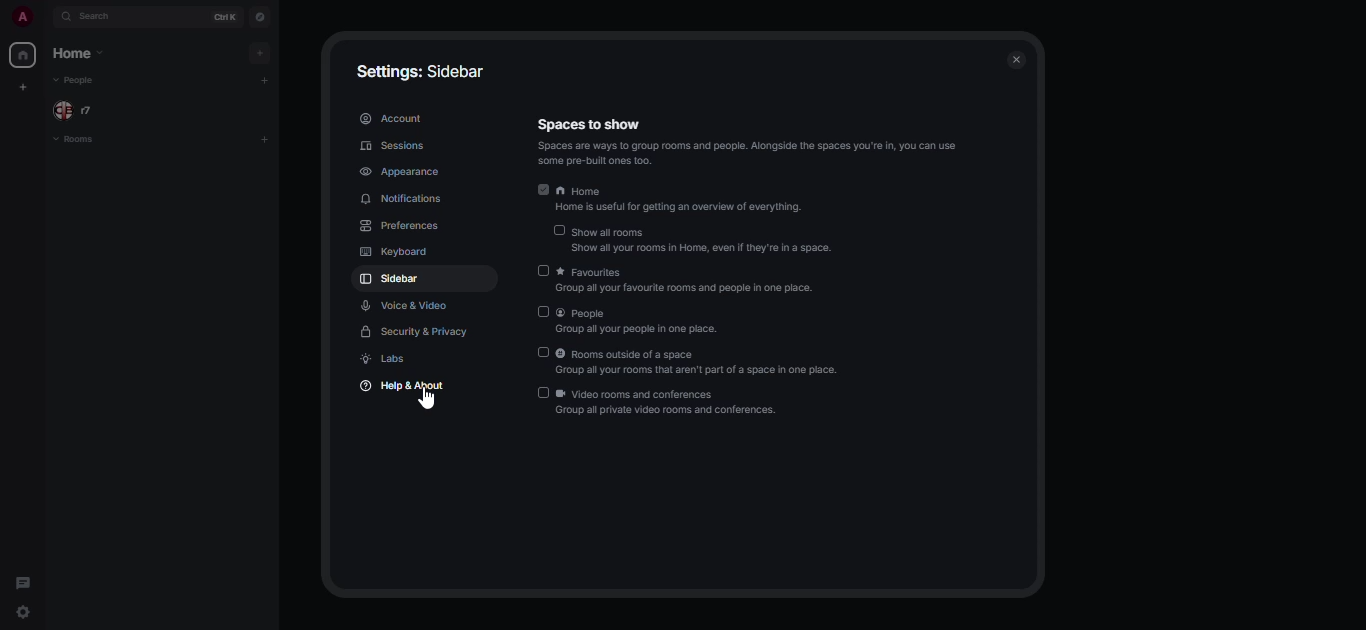  Describe the element at coordinates (25, 86) in the screenshot. I see `create myspace` at that location.